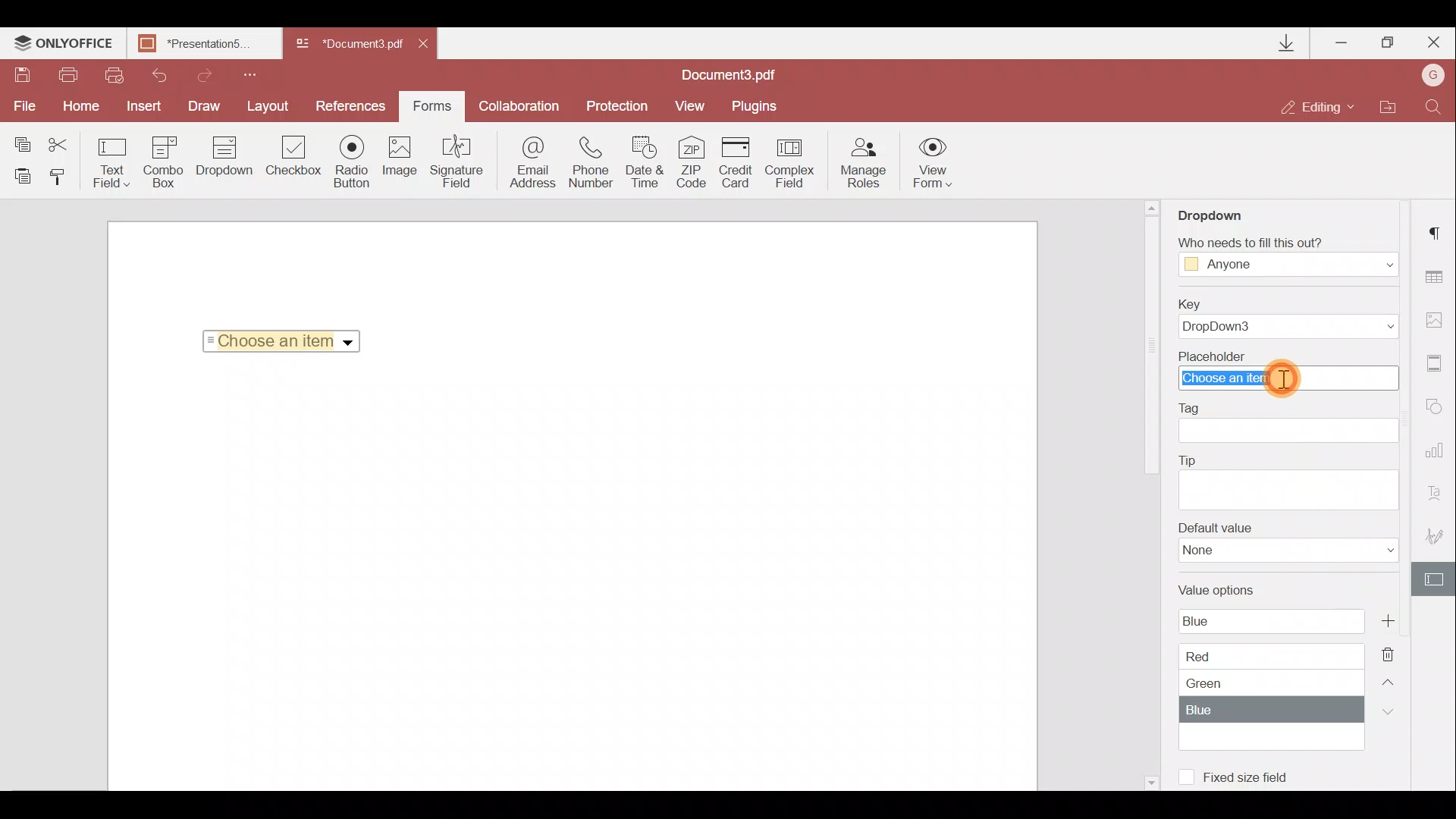  Describe the element at coordinates (1433, 531) in the screenshot. I see `Signature settings` at that location.